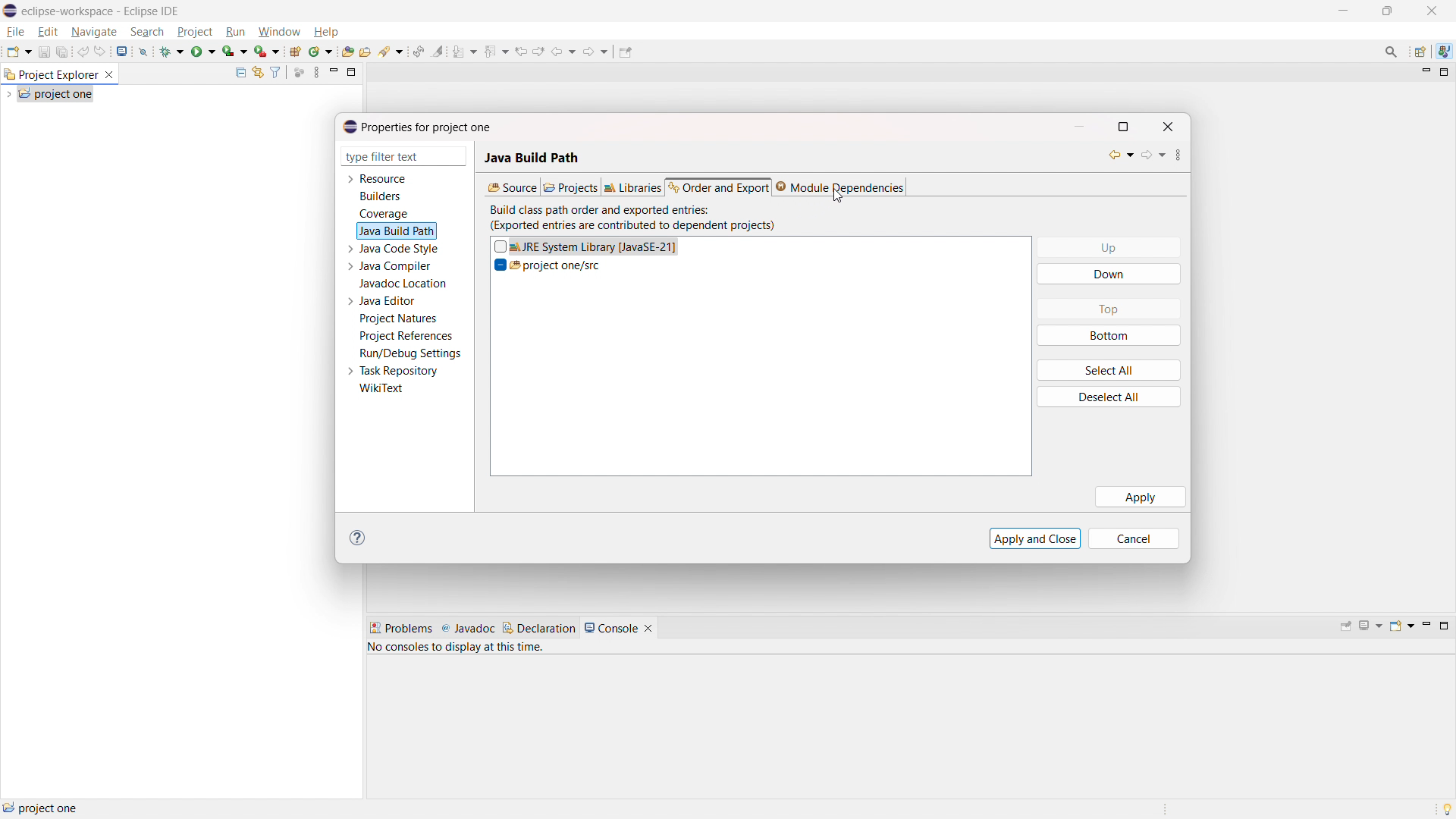 The image size is (1456, 819). What do you see at coordinates (532, 152) in the screenshot?
I see `Java build path` at bounding box center [532, 152].